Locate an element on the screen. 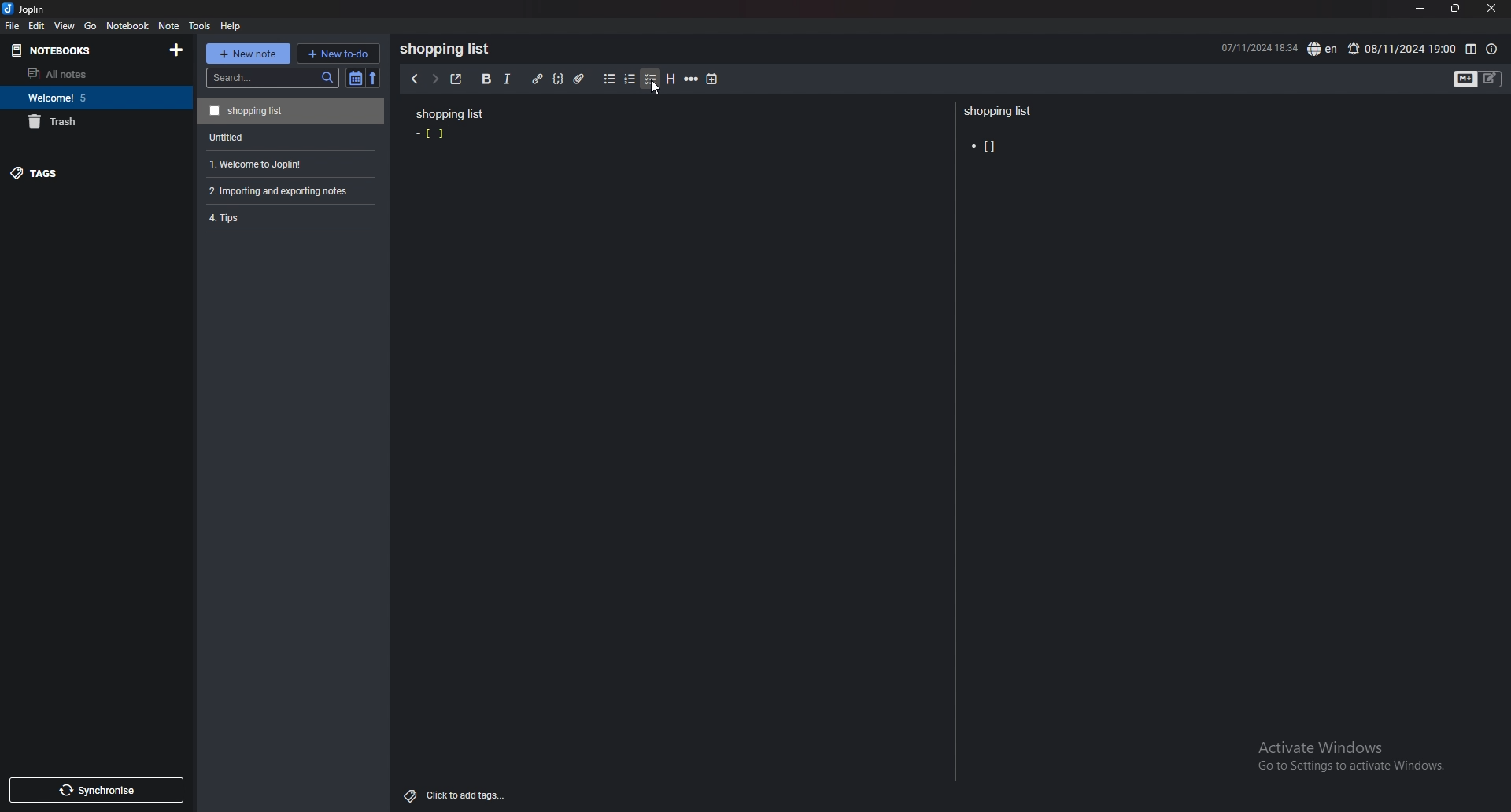 The width and height of the screenshot is (1511, 812). note properties is located at coordinates (1491, 50).